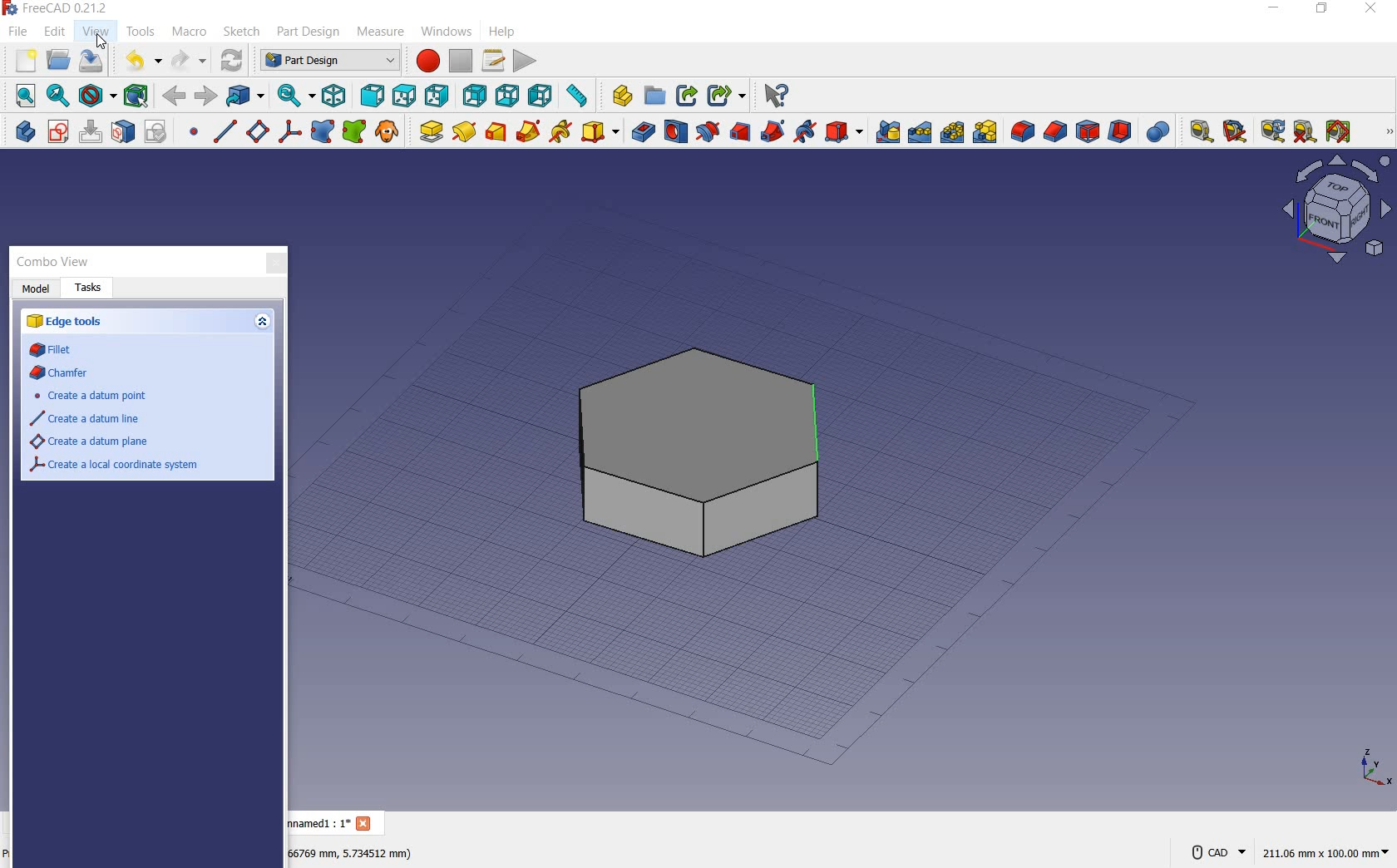 The image size is (1397, 868). What do you see at coordinates (141, 62) in the screenshot?
I see `undo` at bounding box center [141, 62].